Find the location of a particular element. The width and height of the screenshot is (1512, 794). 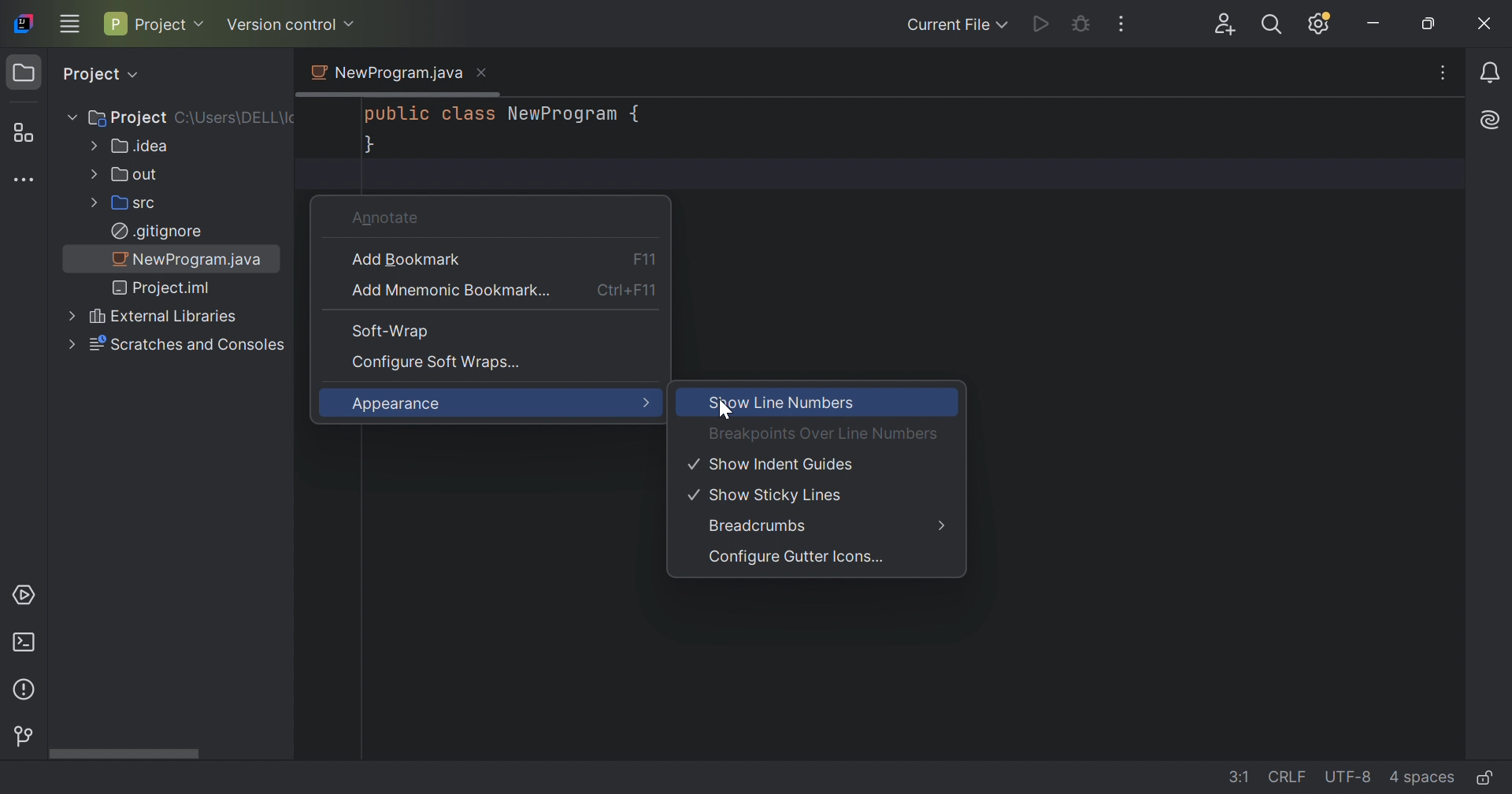

Drop Down is located at coordinates (93, 202).